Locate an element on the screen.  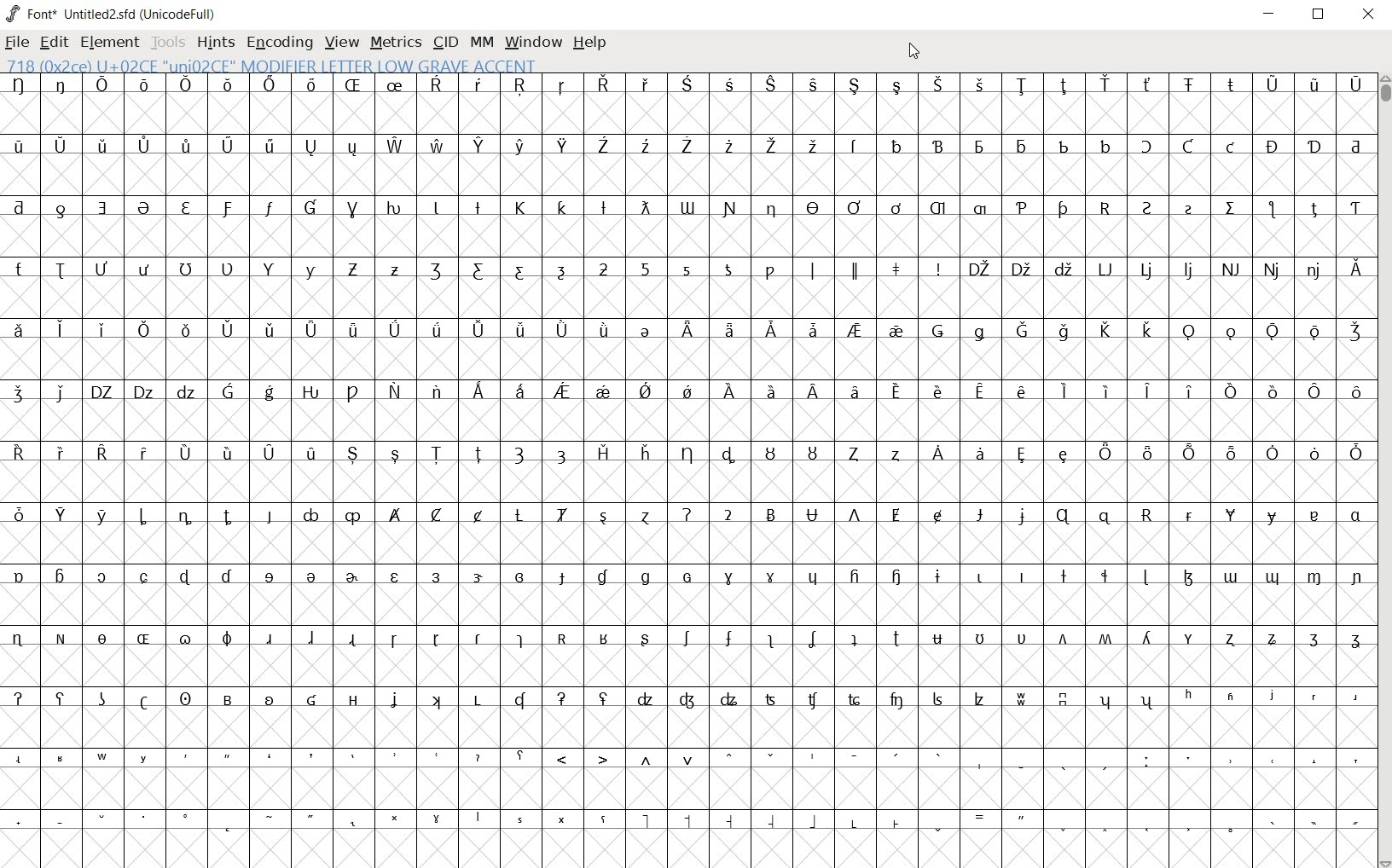
window is located at coordinates (531, 42).